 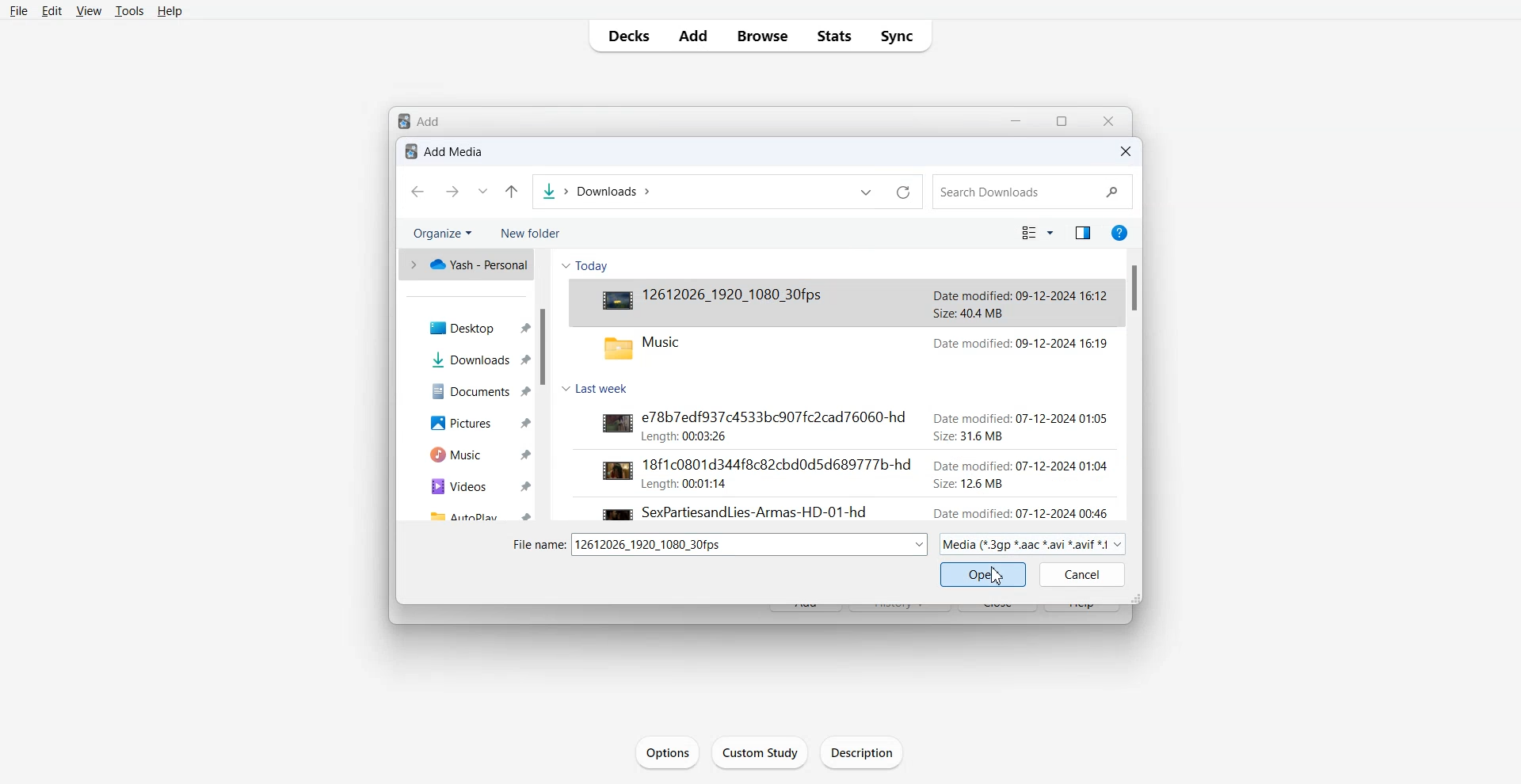 What do you see at coordinates (417, 192) in the screenshot?
I see `Go Back` at bounding box center [417, 192].